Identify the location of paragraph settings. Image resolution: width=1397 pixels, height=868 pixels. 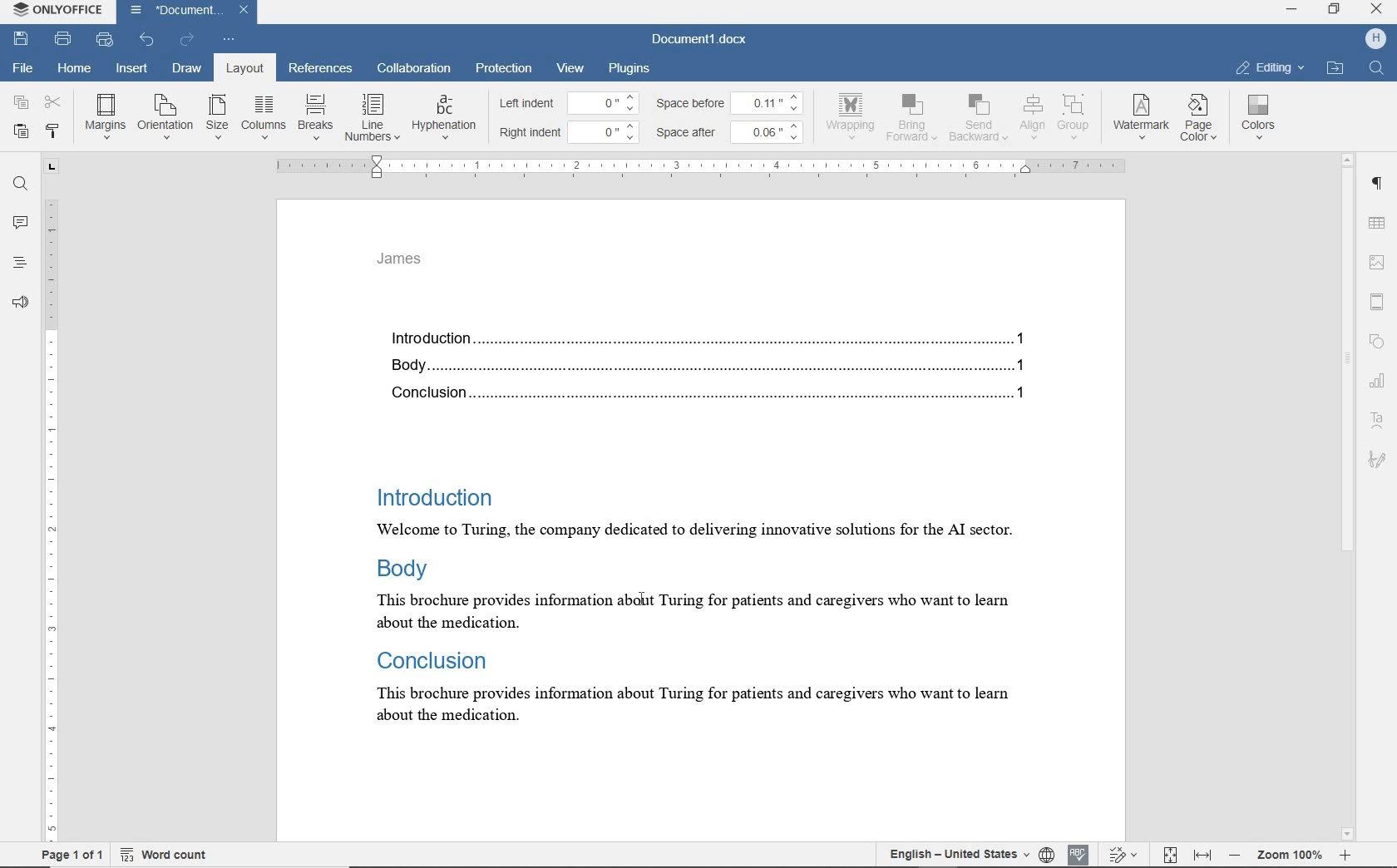
(1380, 187).